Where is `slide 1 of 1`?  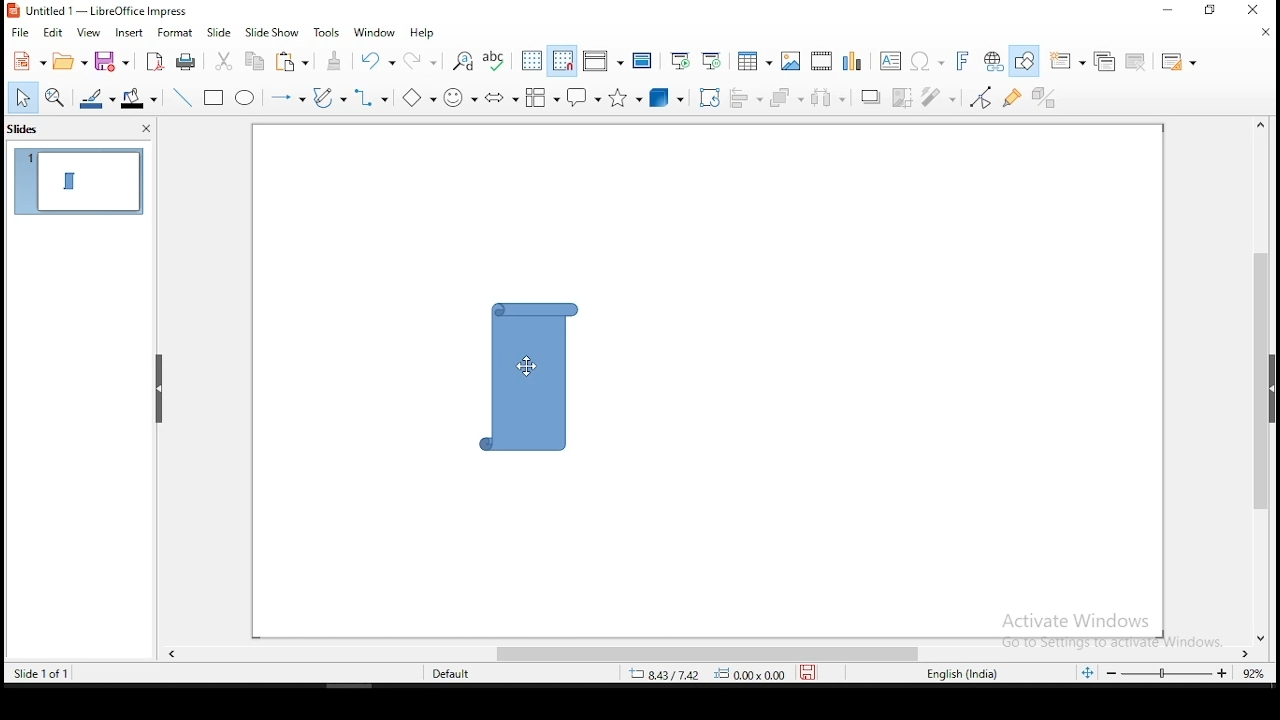
slide 1 of 1 is located at coordinates (40, 672).